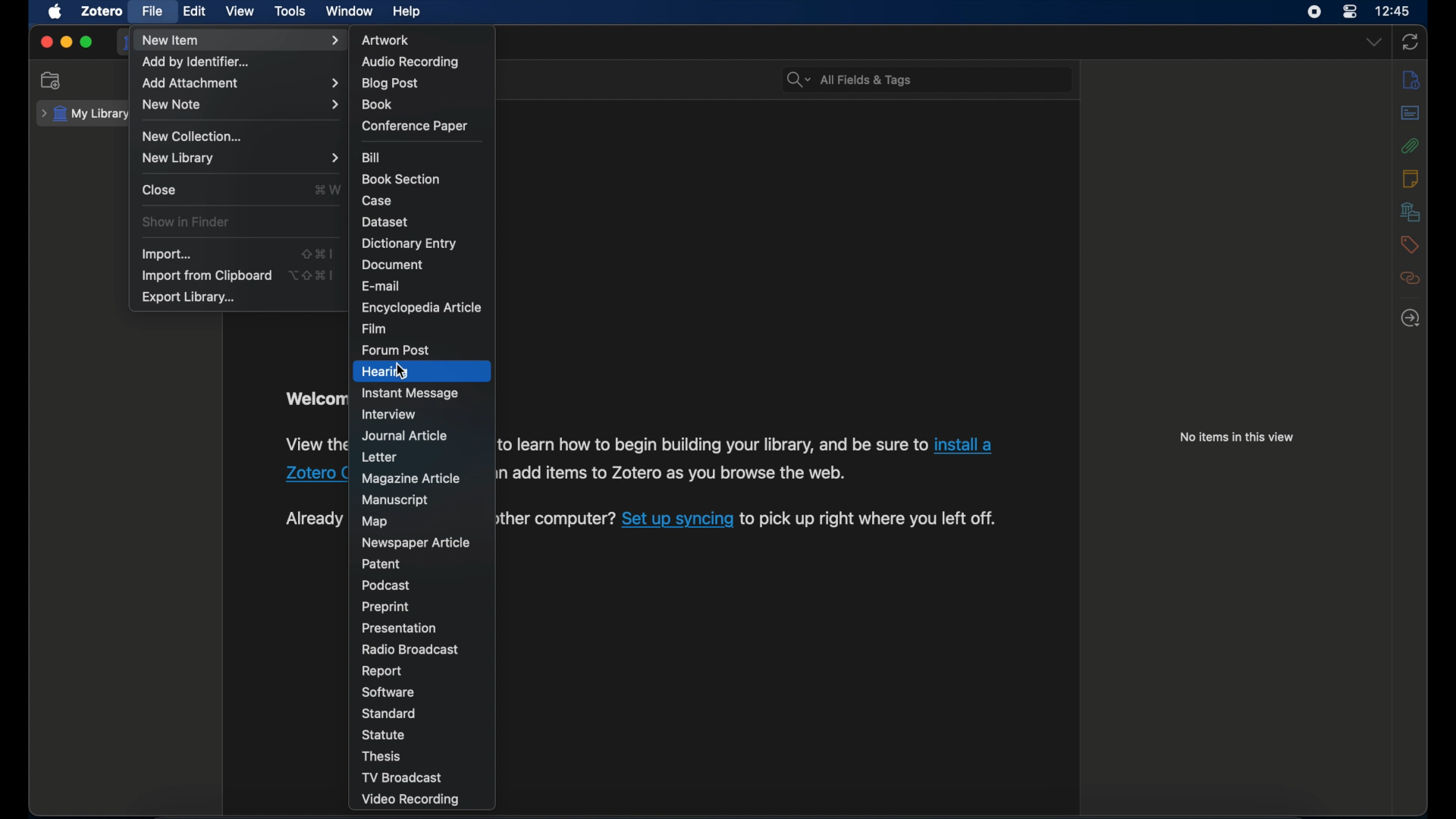  I want to click on info, so click(1412, 80).